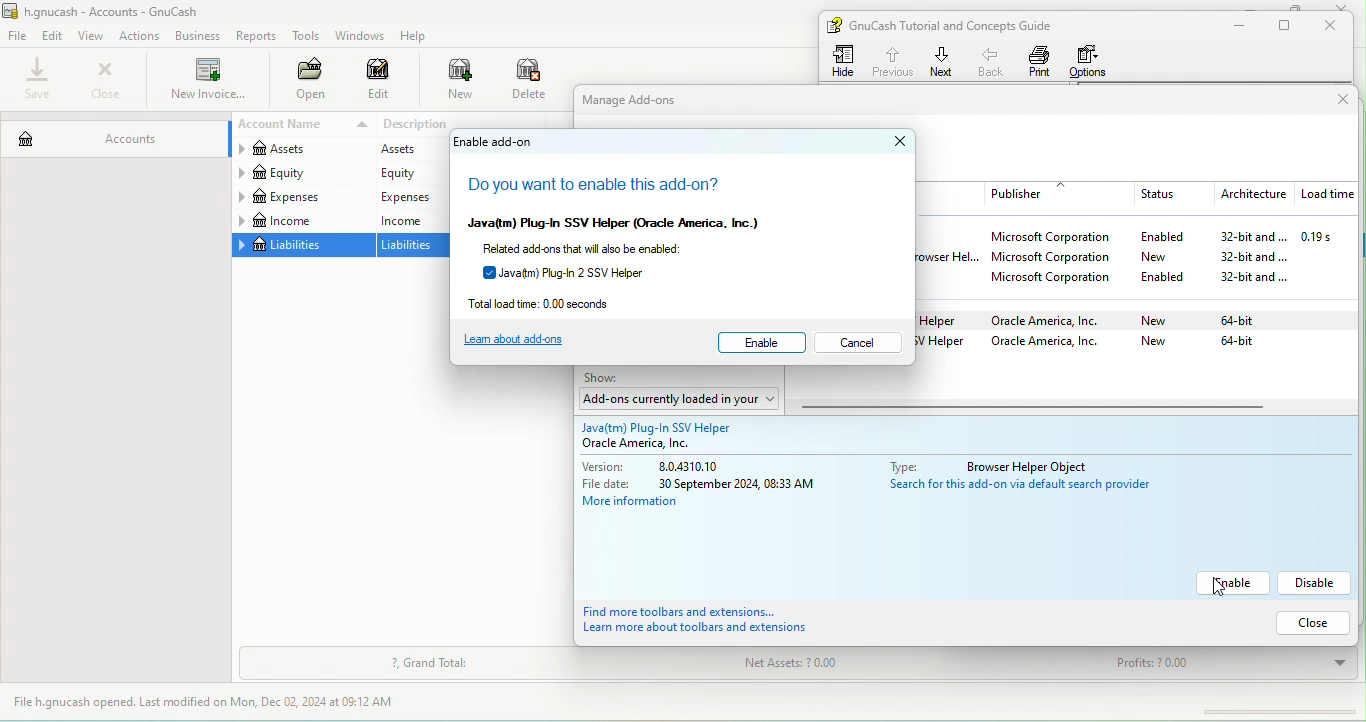  I want to click on enable add on, so click(503, 142).